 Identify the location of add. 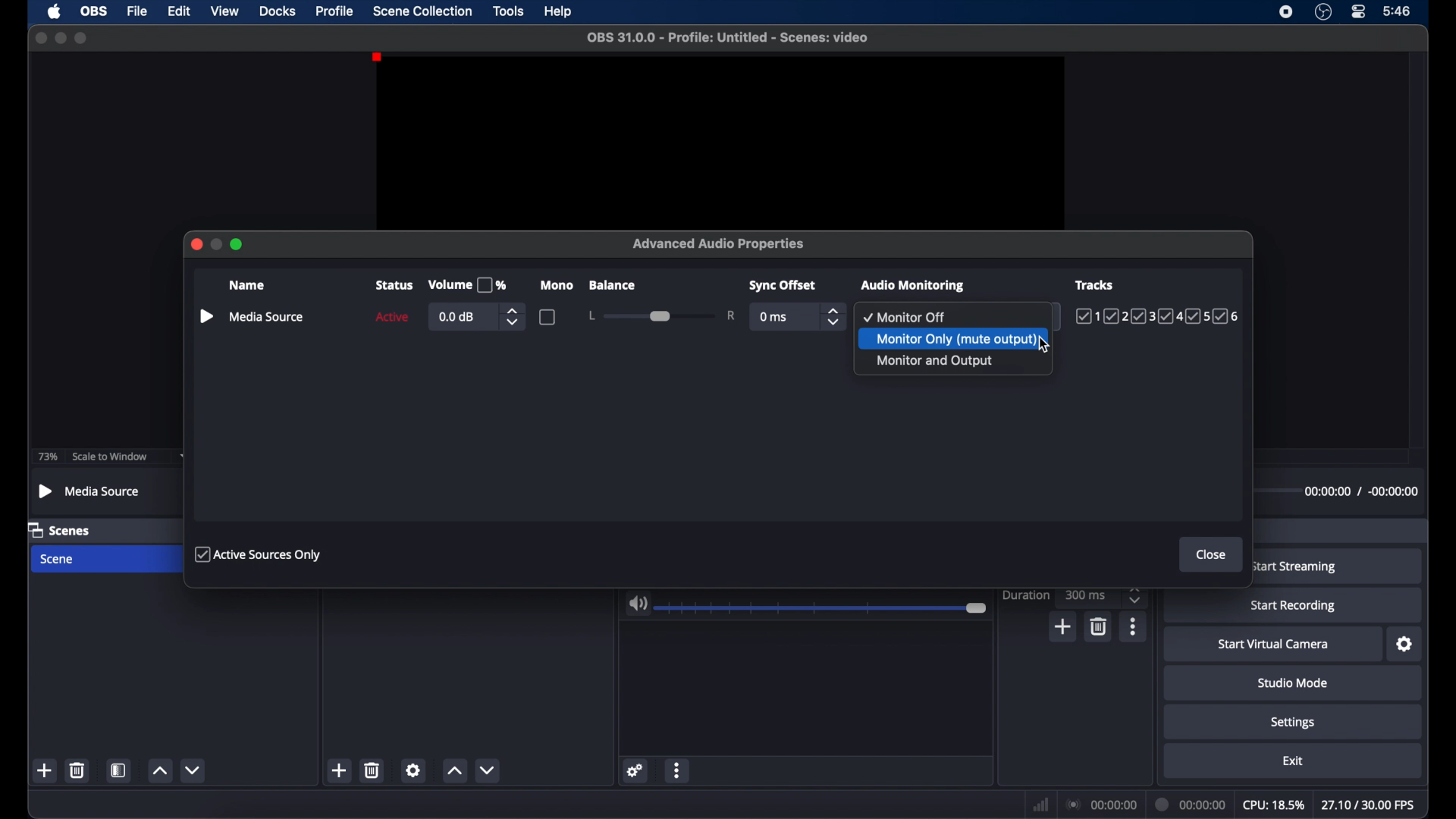
(45, 771).